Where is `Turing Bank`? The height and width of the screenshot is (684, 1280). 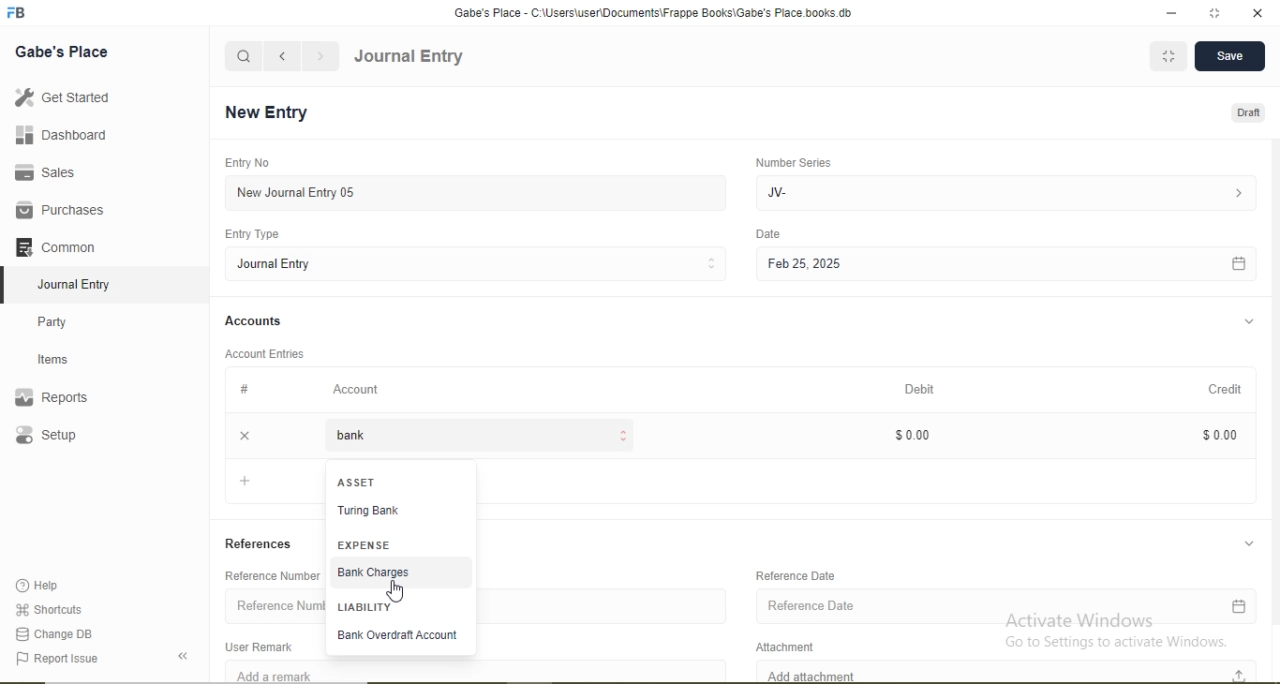 Turing Bank is located at coordinates (403, 512).